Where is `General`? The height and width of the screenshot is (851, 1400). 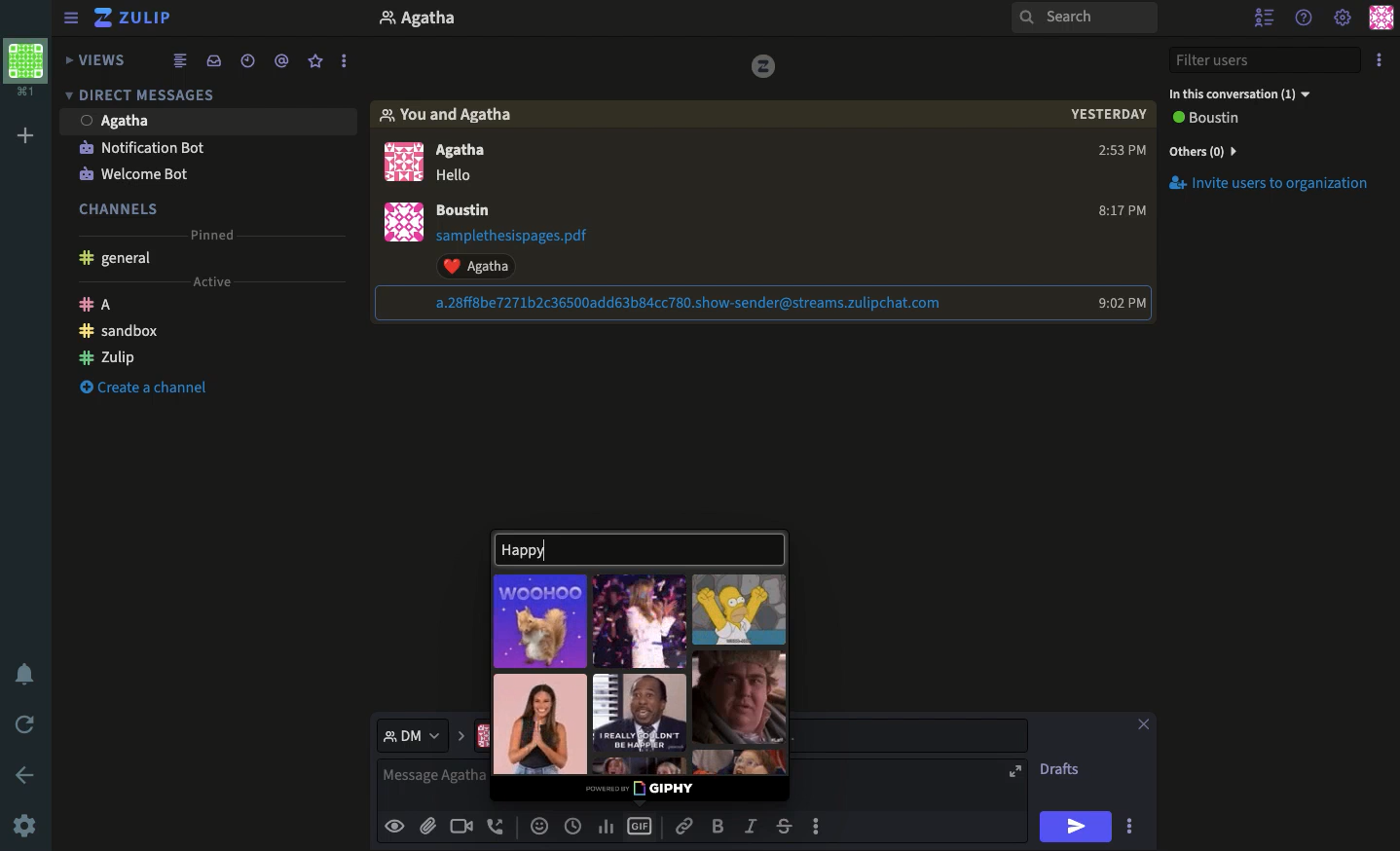 General is located at coordinates (121, 260).